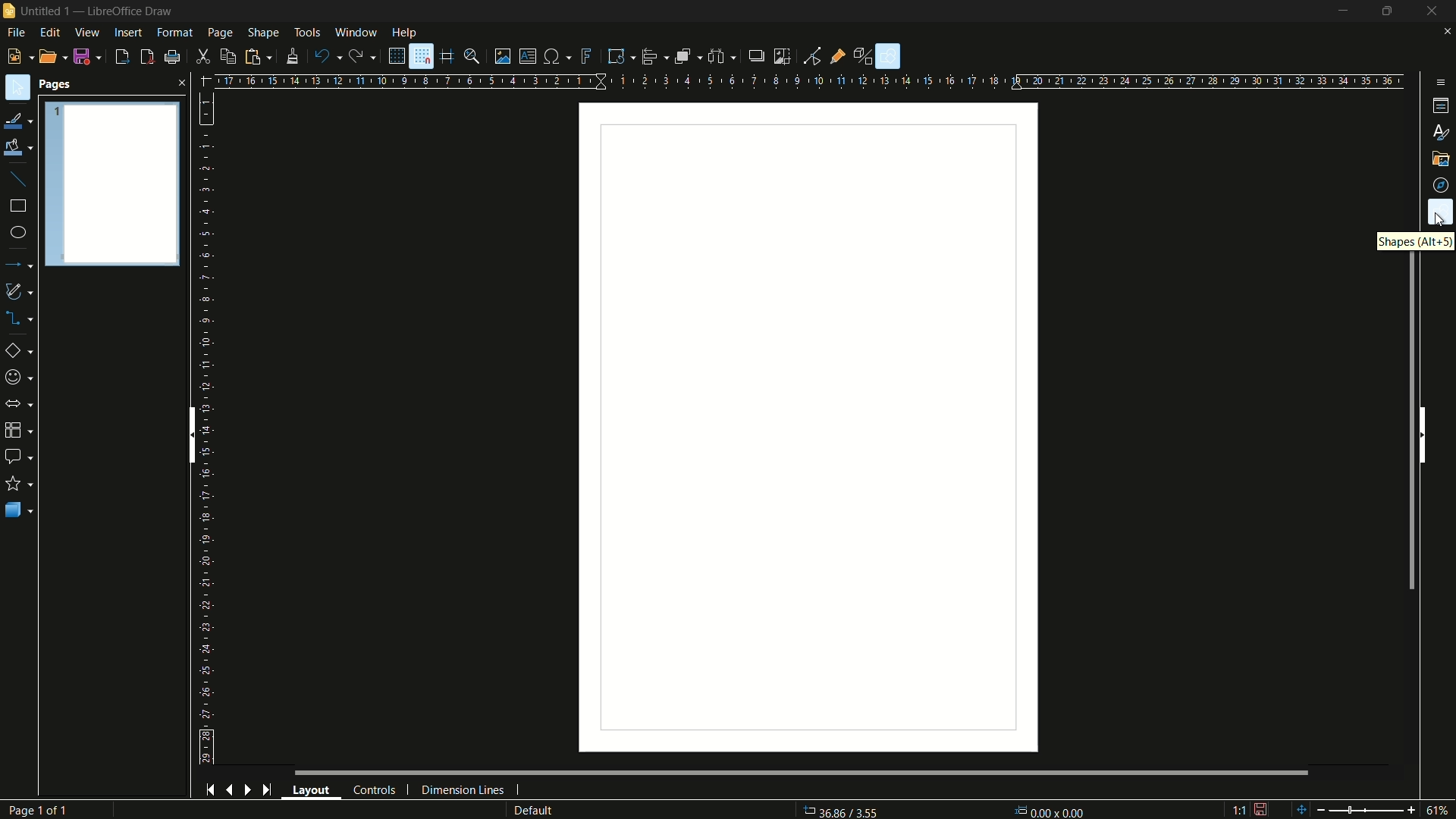  Describe the element at coordinates (17, 179) in the screenshot. I see `insert line` at that location.